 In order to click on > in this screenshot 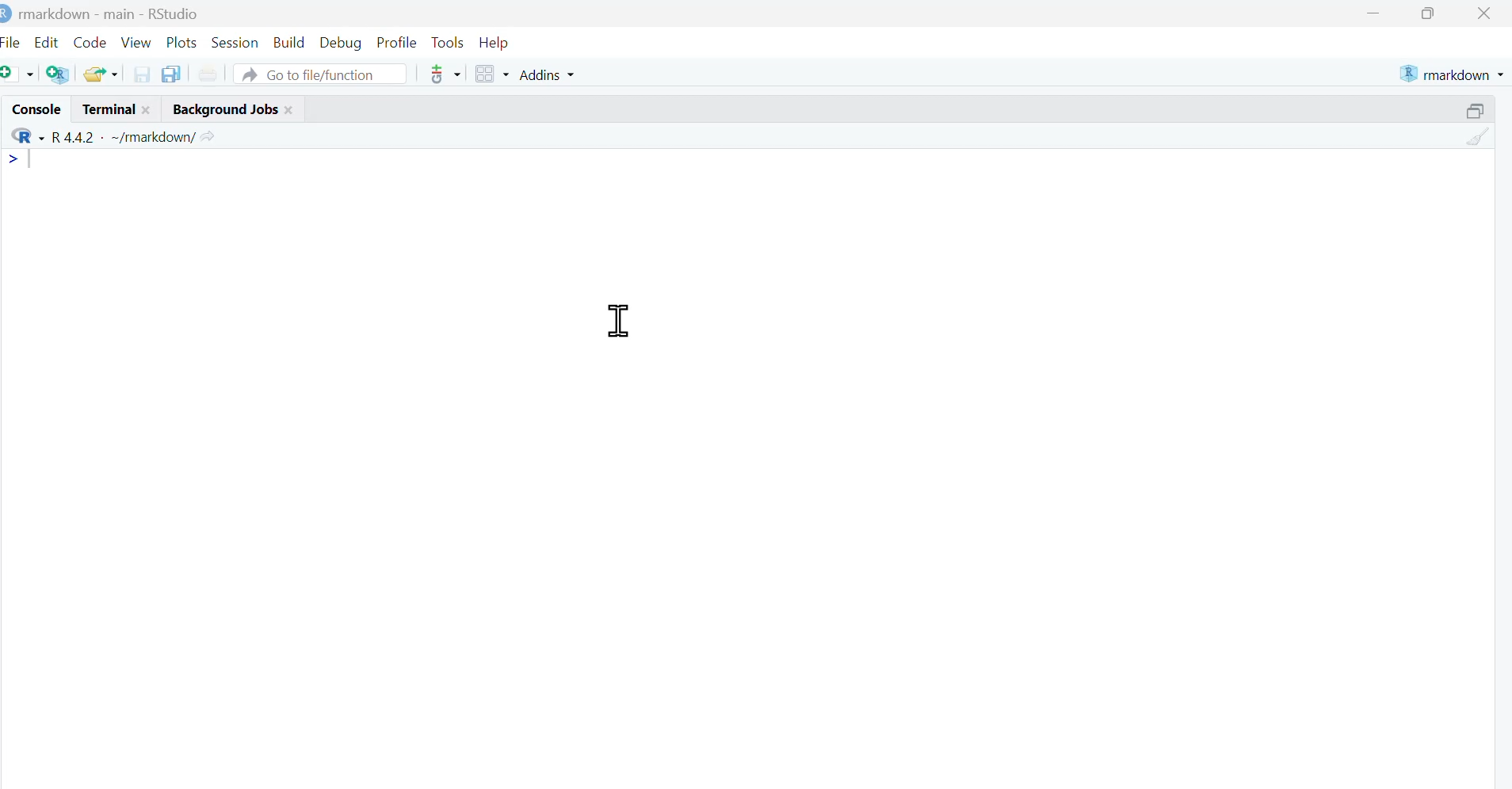, I will do `click(15, 158)`.